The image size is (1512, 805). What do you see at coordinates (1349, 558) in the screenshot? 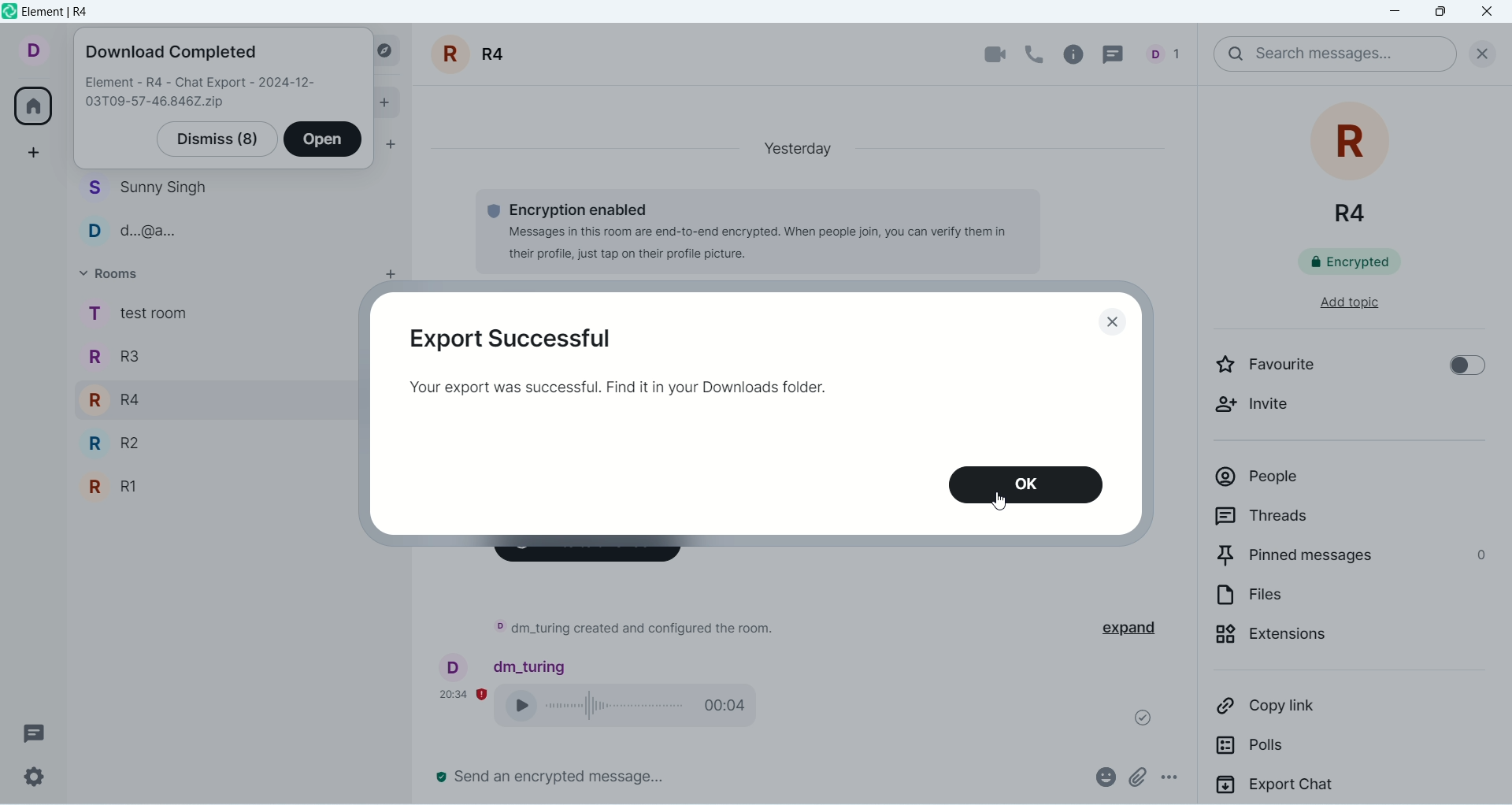
I see `pinned message` at bounding box center [1349, 558].